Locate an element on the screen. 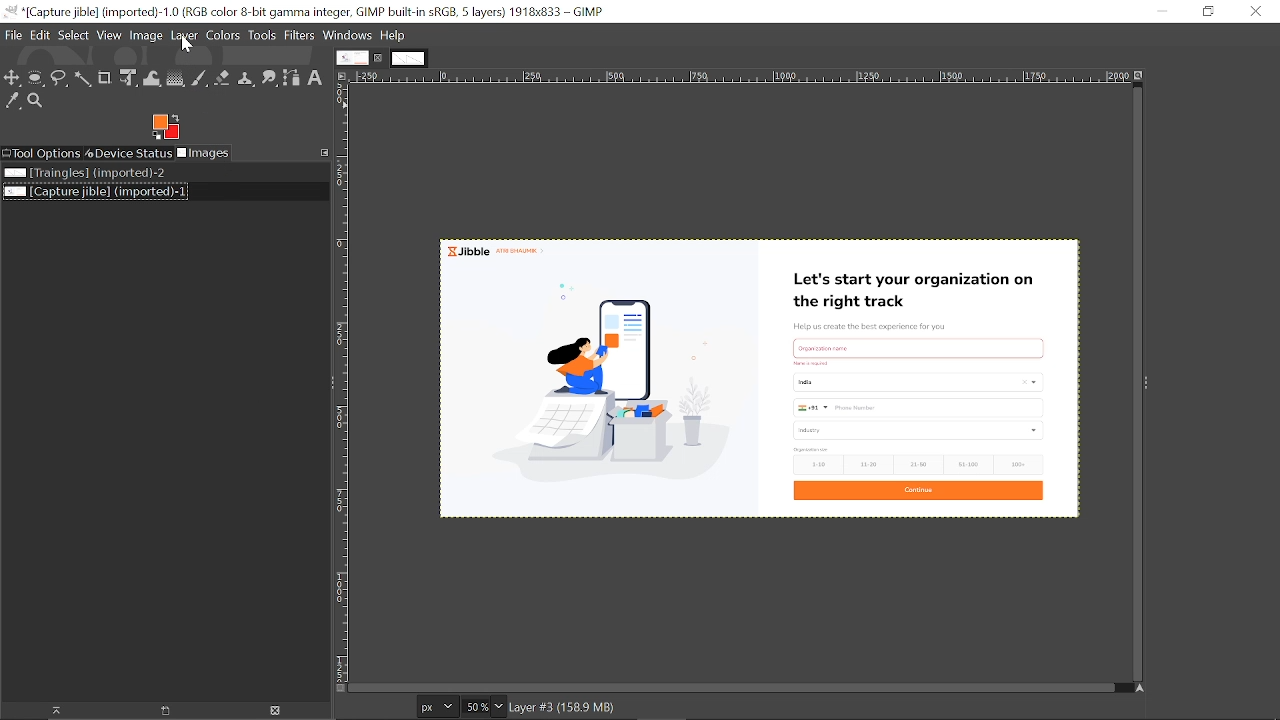 This screenshot has width=1280, height=720. Restore down is located at coordinates (1207, 13).